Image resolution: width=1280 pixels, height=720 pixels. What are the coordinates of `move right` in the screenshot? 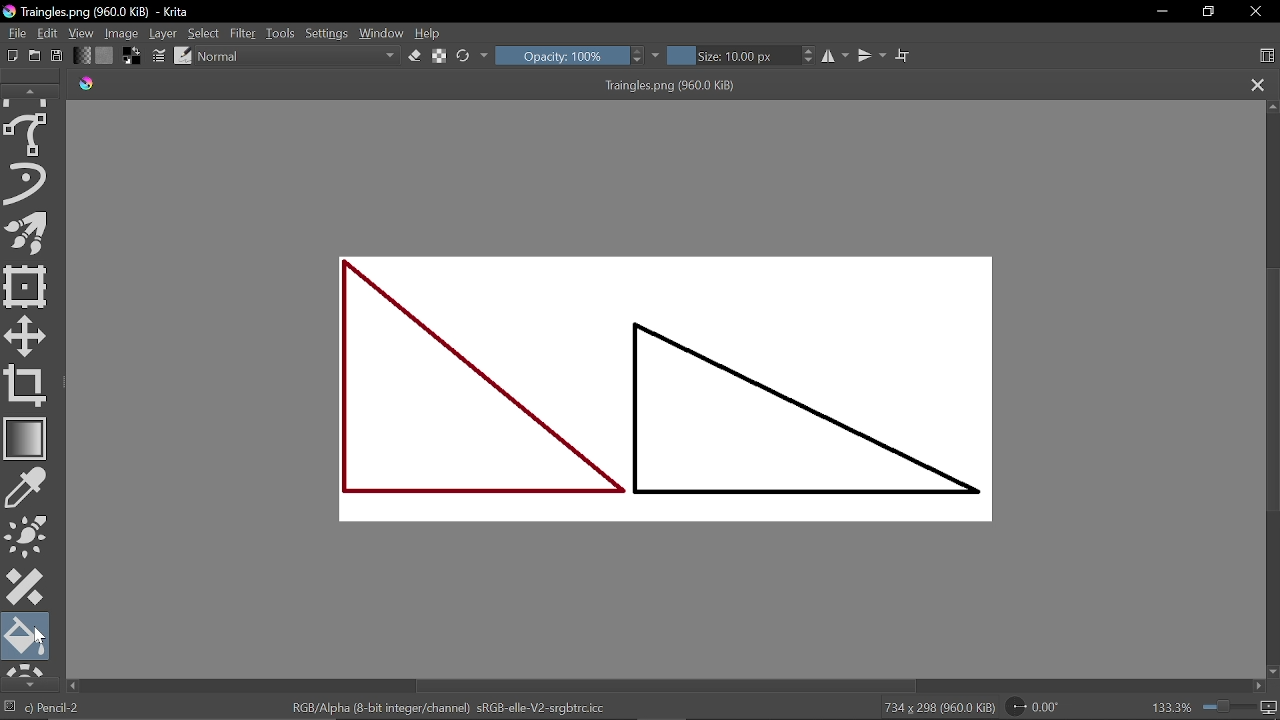 It's located at (1260, 687).